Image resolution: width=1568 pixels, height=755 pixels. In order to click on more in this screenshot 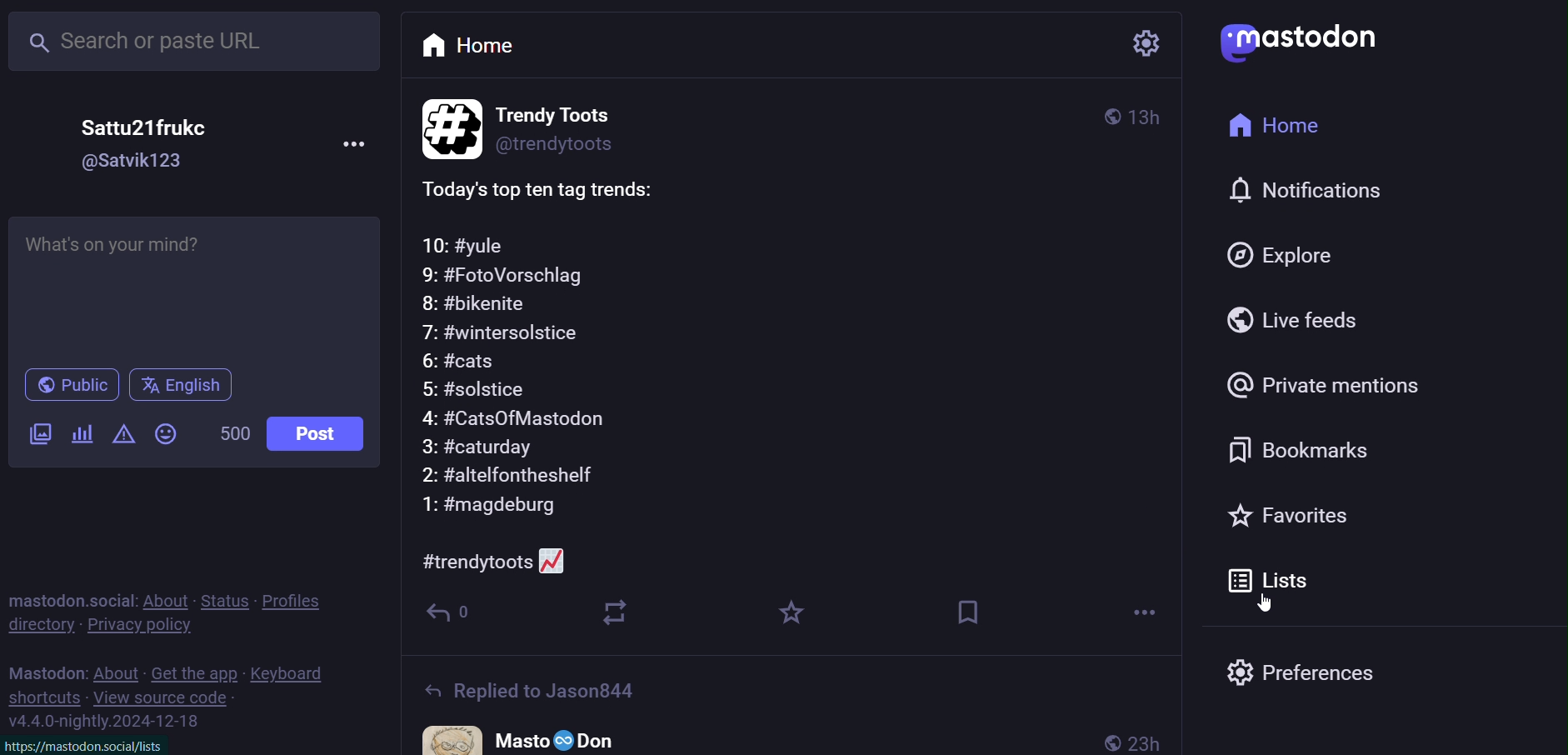, I will do `click(351, 144)`.